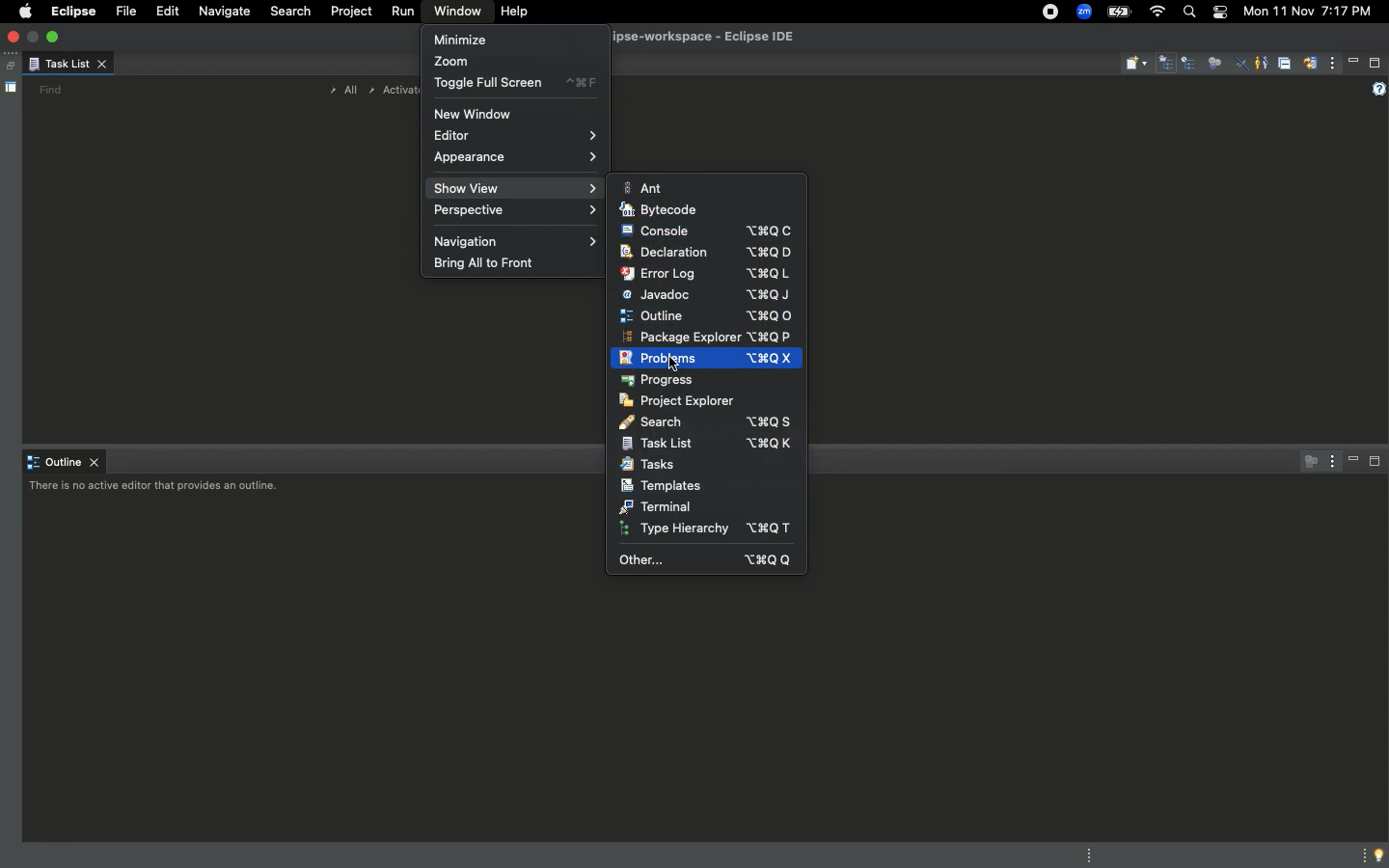  What do you see at coordinates (1354, 461) in the screenshot?
I see `Minimize` at bounding box center [1354, 461].